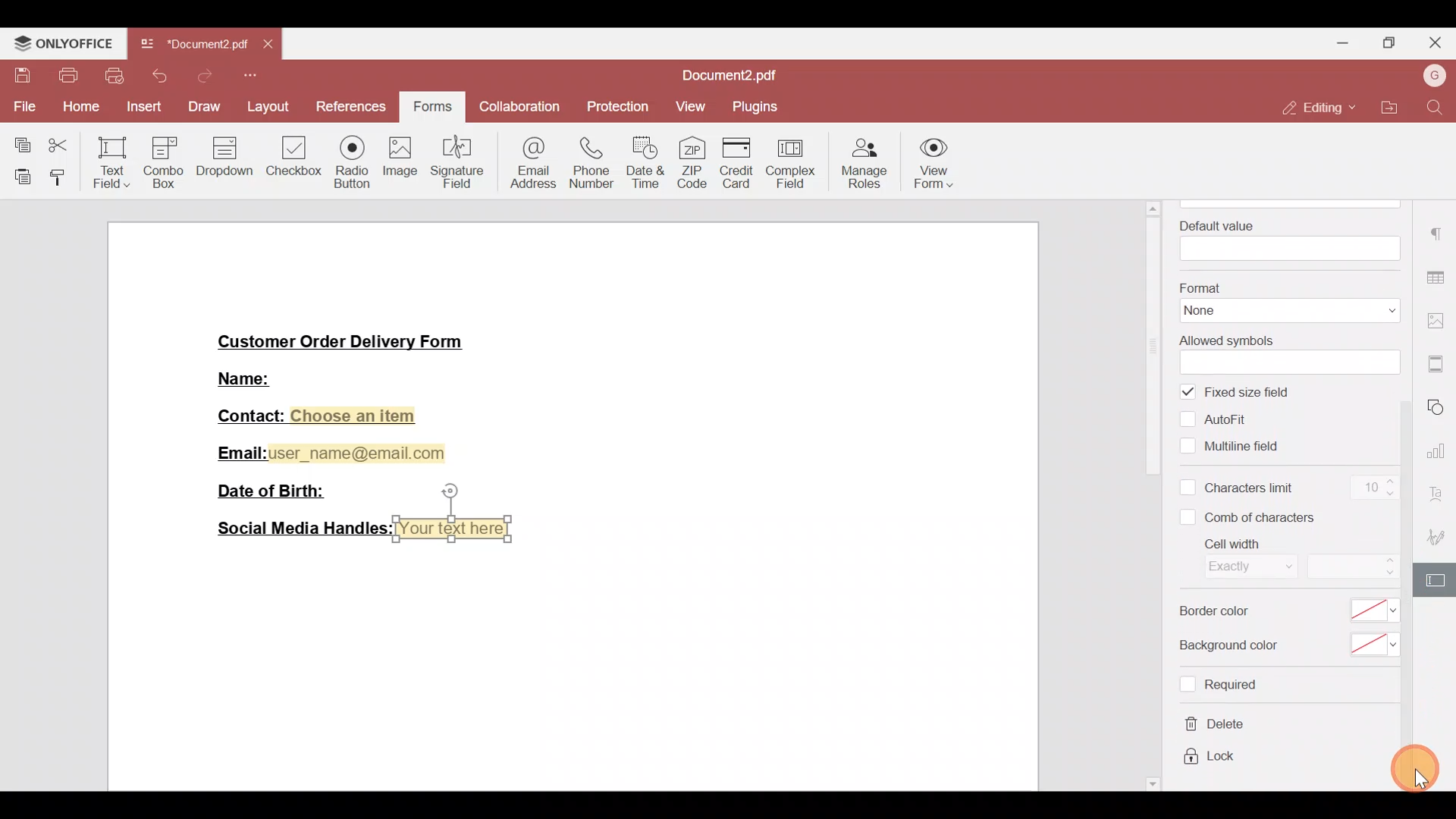  Describe the element at coordinates (866, 161) in the screenshot. I see `Manage roles` at that location.